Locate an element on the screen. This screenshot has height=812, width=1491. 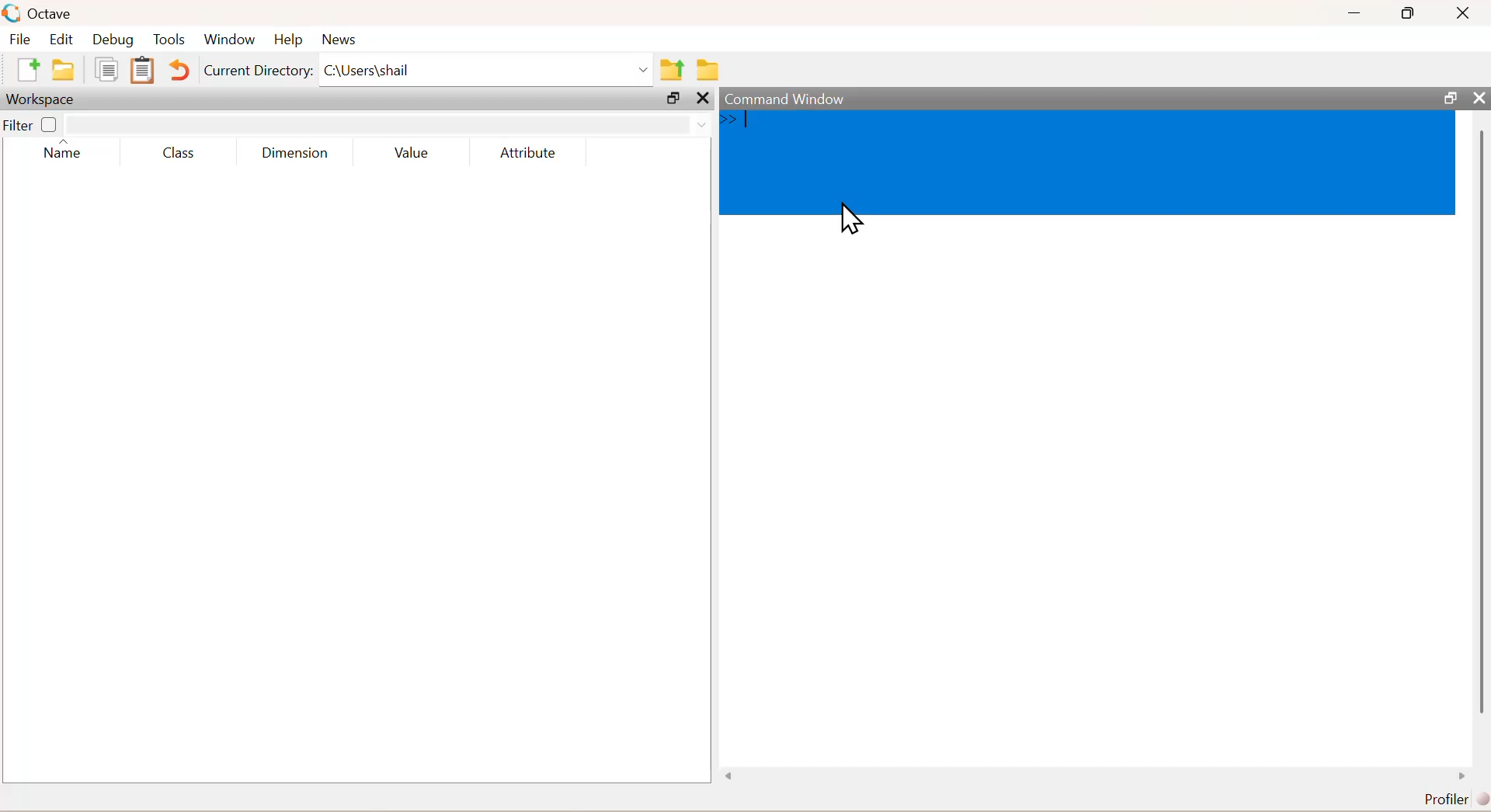
add file is located at coordinates (30, 69).